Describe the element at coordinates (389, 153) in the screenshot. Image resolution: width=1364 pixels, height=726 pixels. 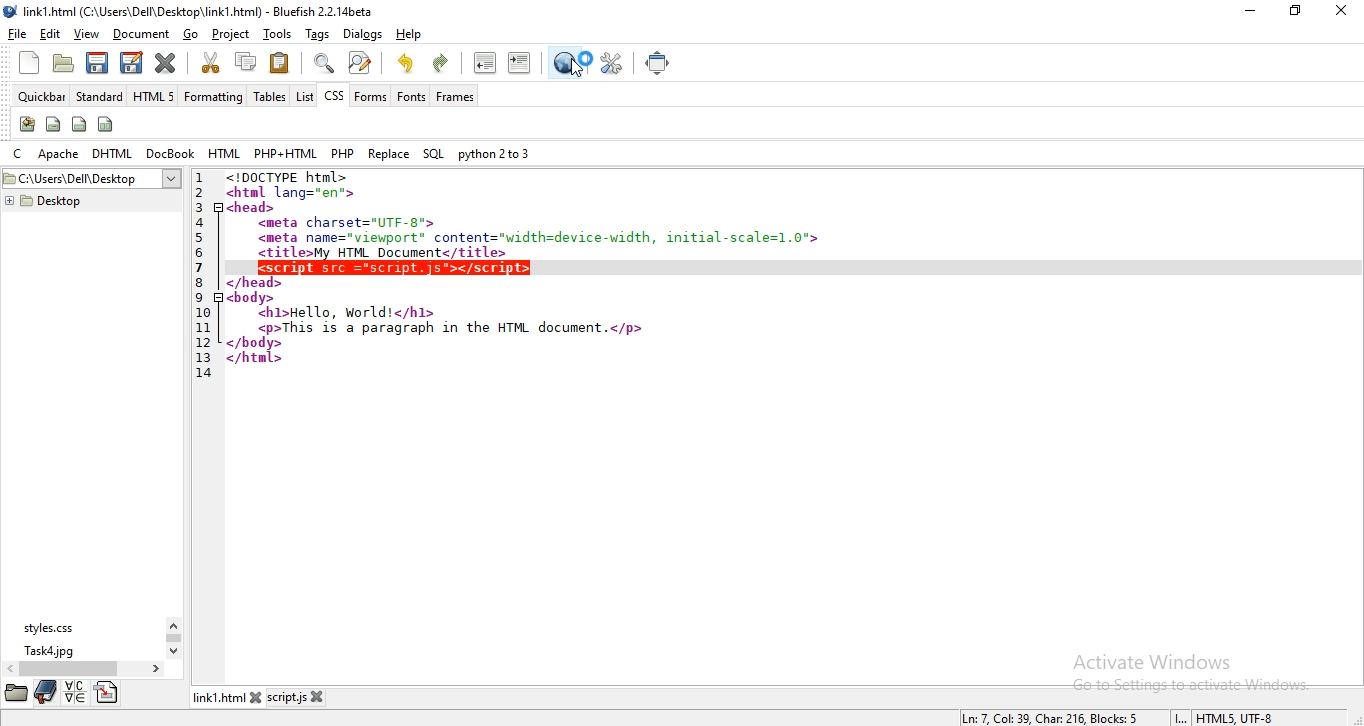
I see `replace` at that location.